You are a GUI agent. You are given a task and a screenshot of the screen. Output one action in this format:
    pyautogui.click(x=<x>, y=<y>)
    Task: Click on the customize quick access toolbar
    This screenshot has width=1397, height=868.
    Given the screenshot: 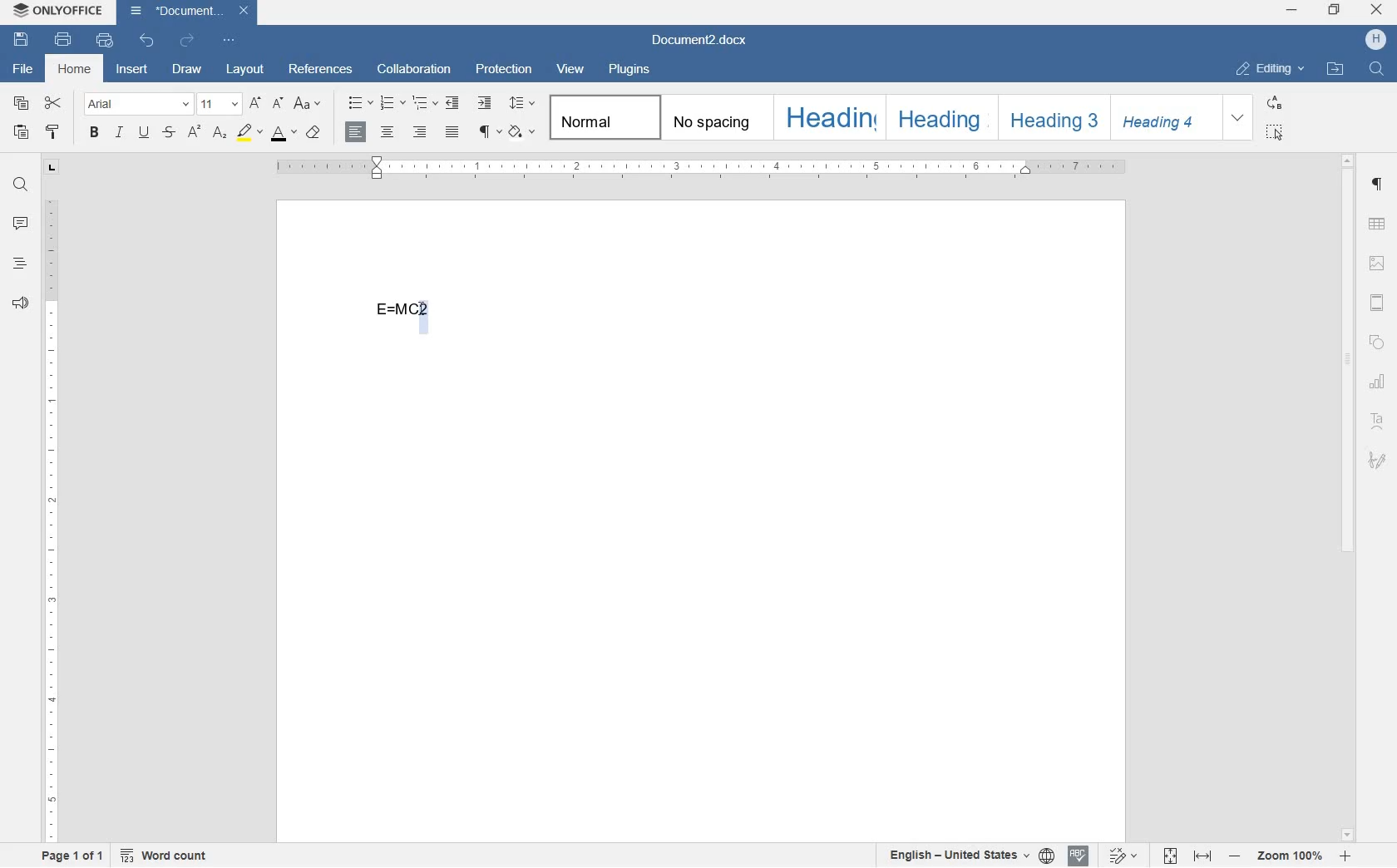 What is the action you would take?
    pyautogui.click(x=229, y=40)
    